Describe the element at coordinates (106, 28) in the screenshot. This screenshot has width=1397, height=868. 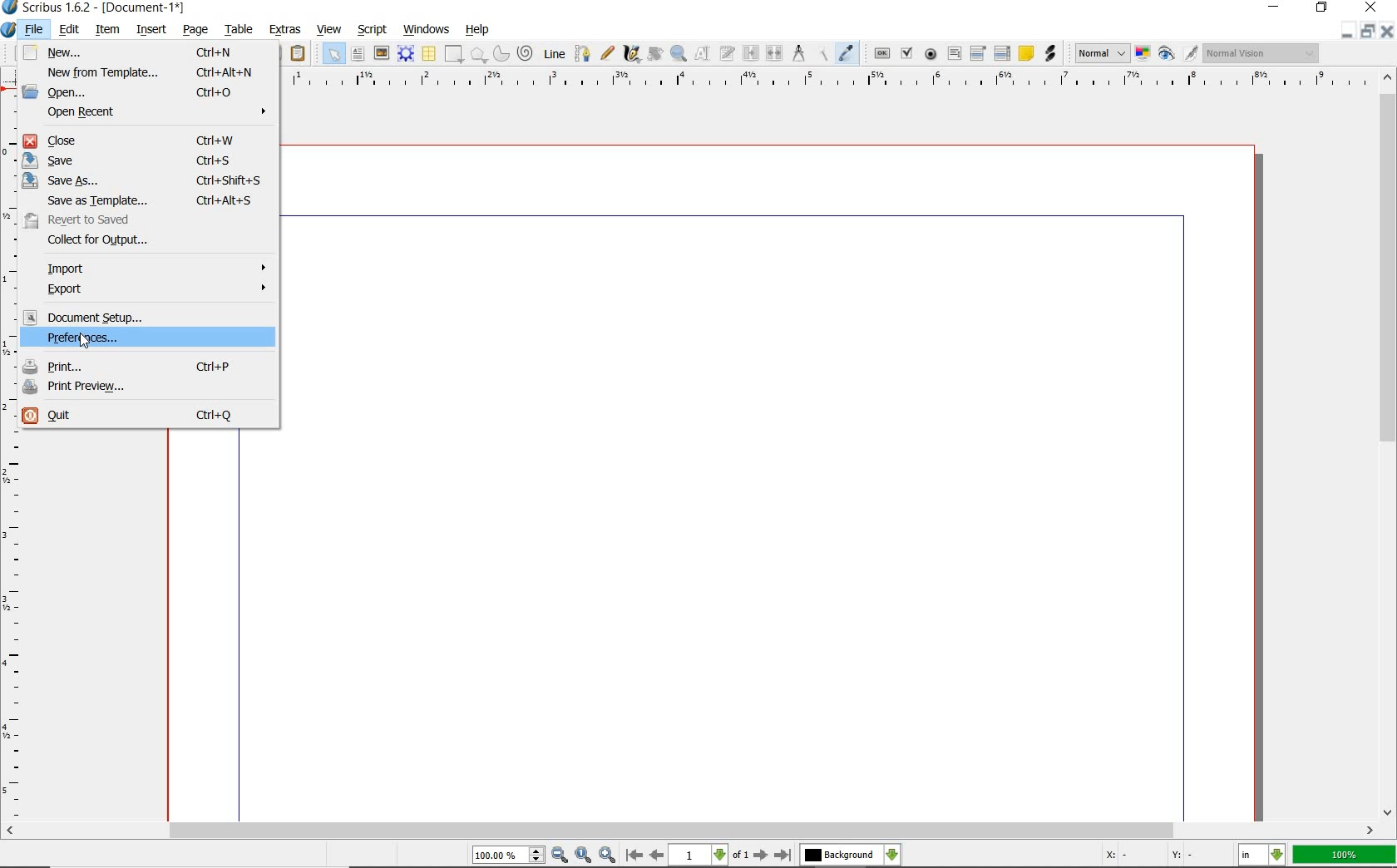
I see `item` at that location.